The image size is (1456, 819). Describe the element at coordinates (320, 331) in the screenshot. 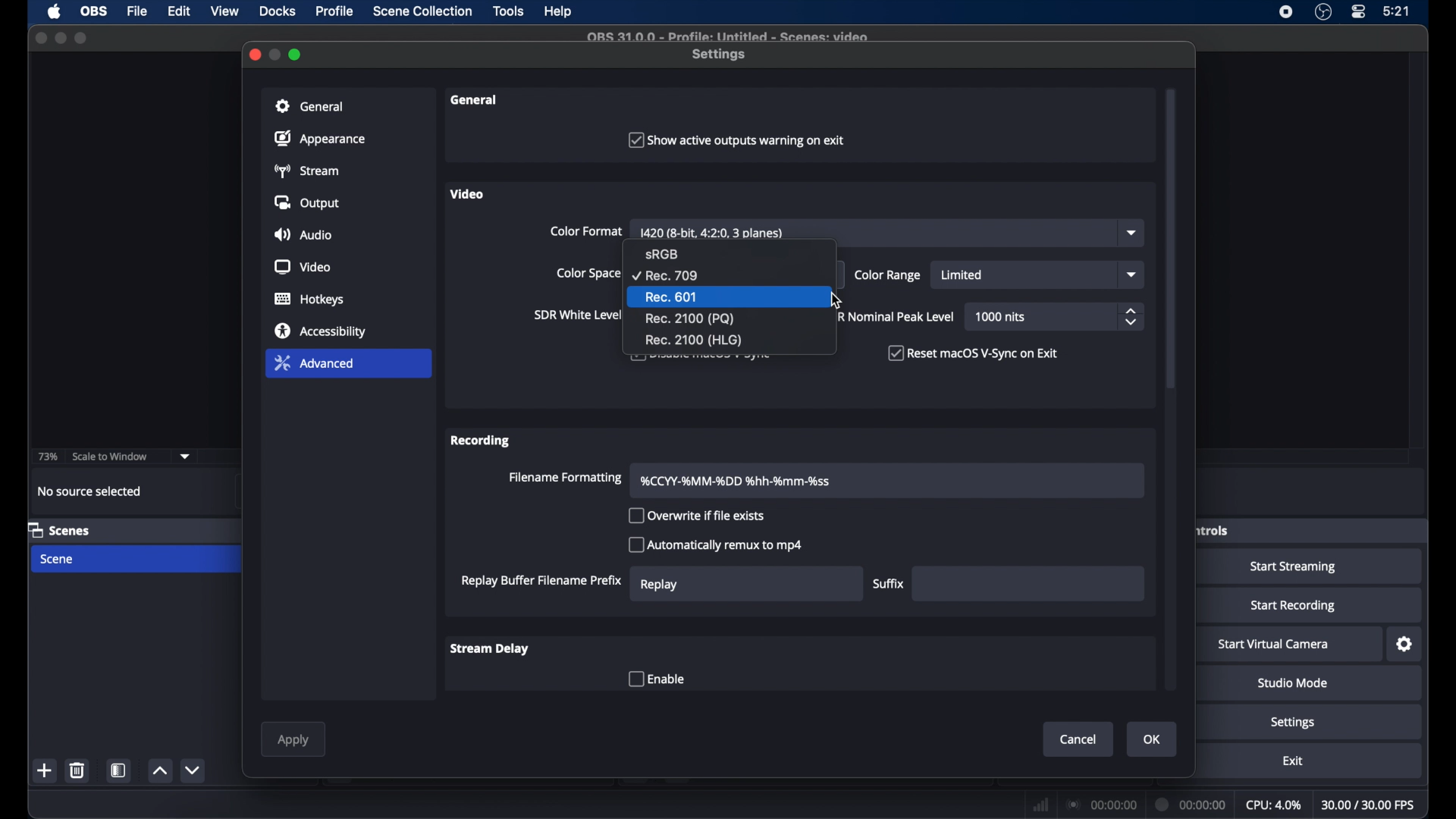

I see `accessibility` at that location.